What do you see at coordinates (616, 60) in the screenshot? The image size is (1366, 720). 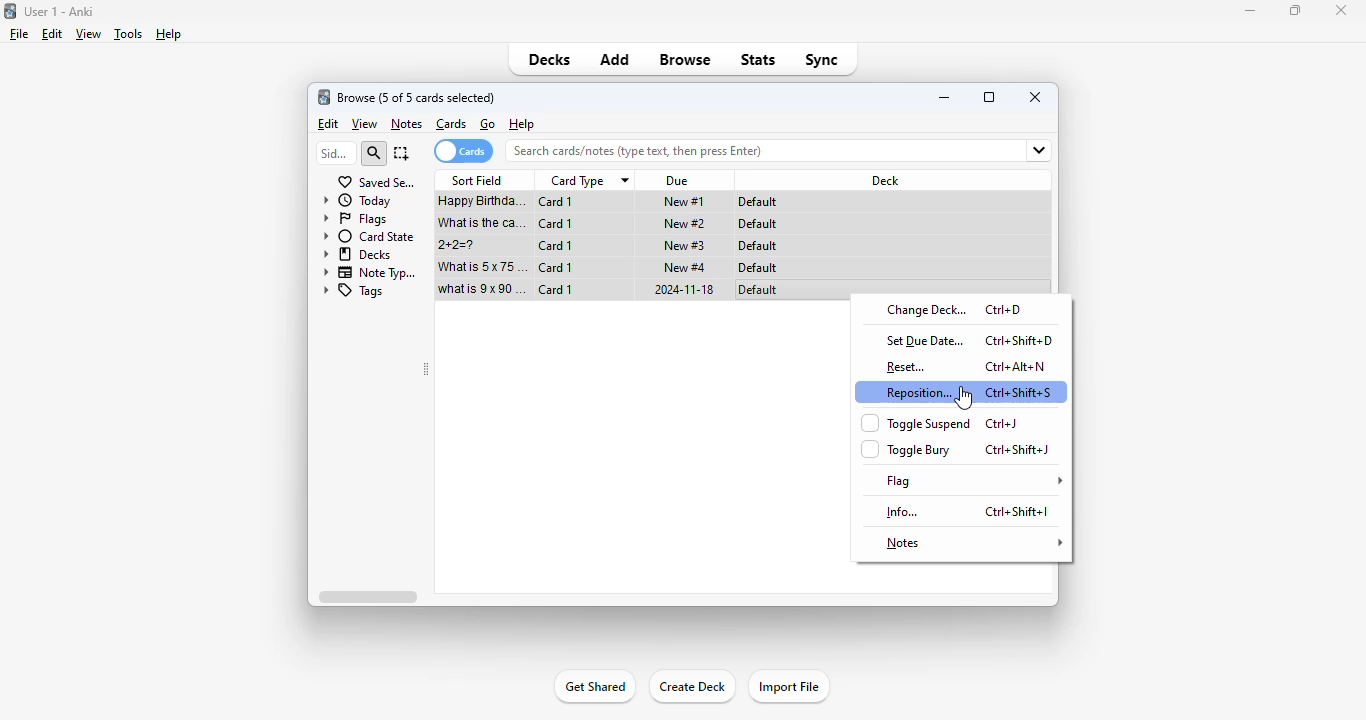 I see `add` at bounding box center [616, 60].